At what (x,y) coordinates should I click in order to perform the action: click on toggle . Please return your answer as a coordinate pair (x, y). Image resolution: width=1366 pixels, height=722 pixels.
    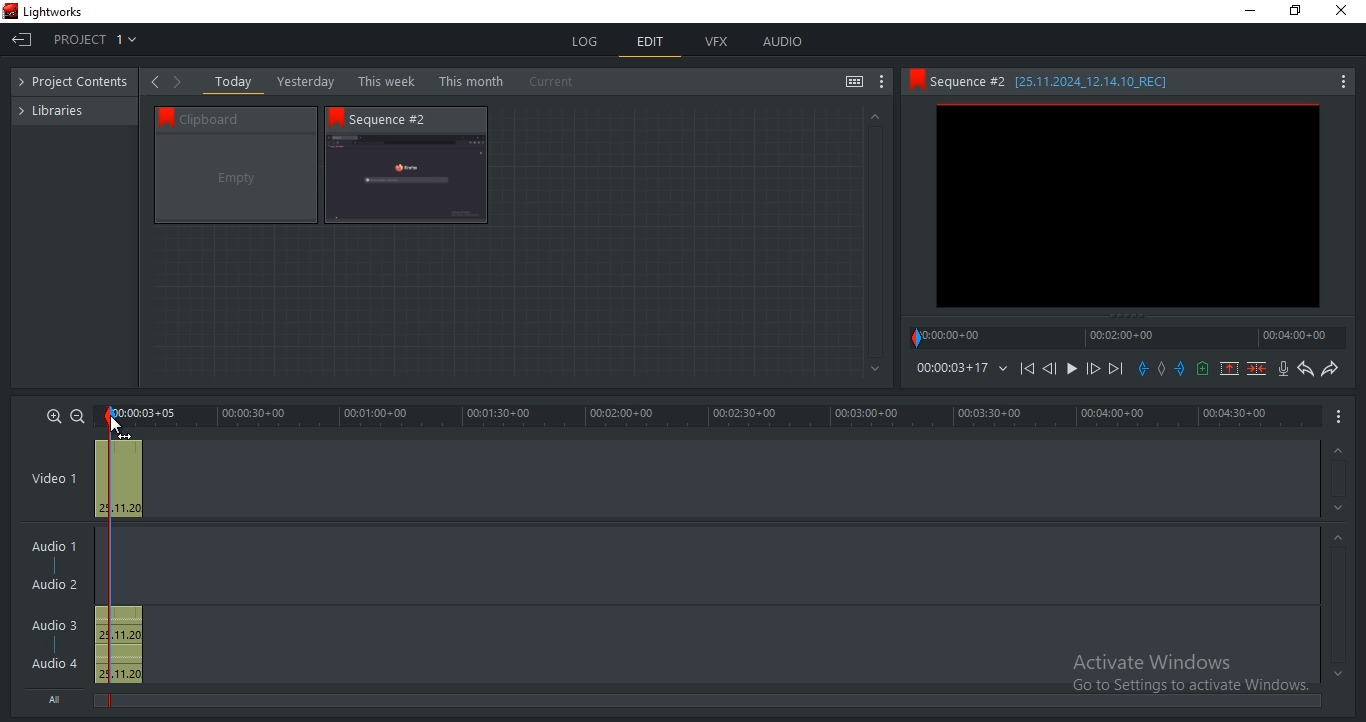
    Looking at the image, I should click on (854, 83).